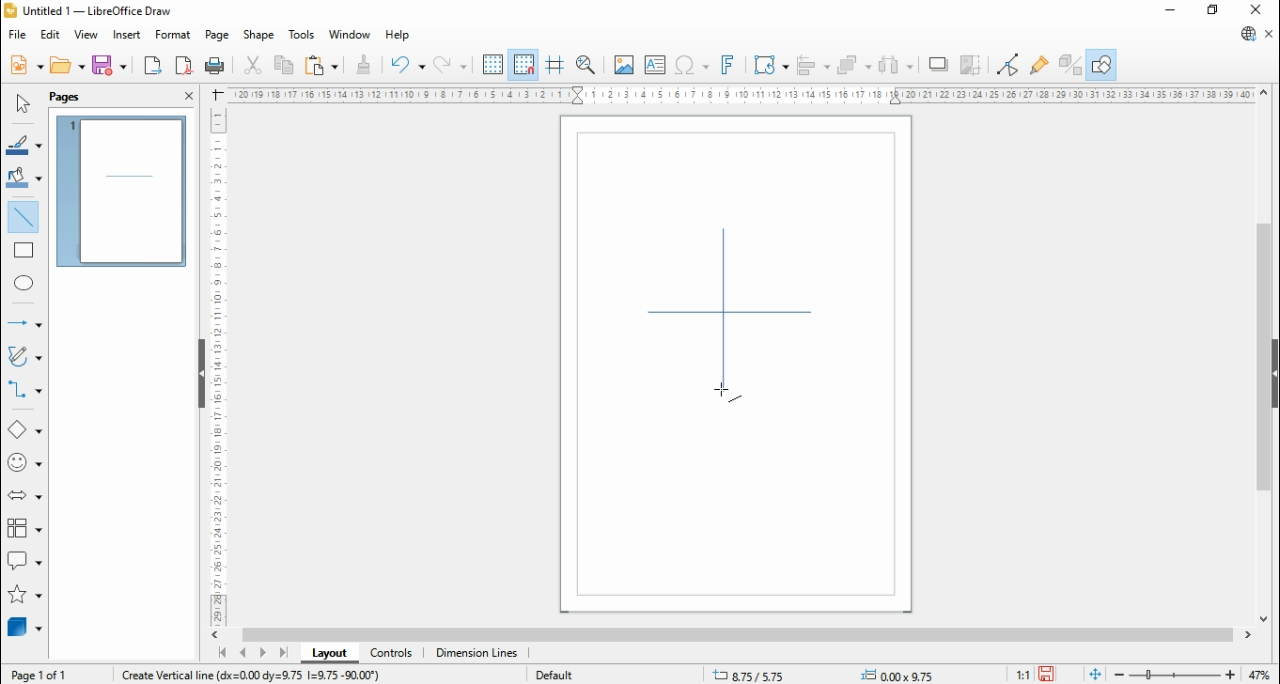  What do you see at coordinates (623, 64) in the screenshot?
I see `insert image` at bounding box center [623, 64].